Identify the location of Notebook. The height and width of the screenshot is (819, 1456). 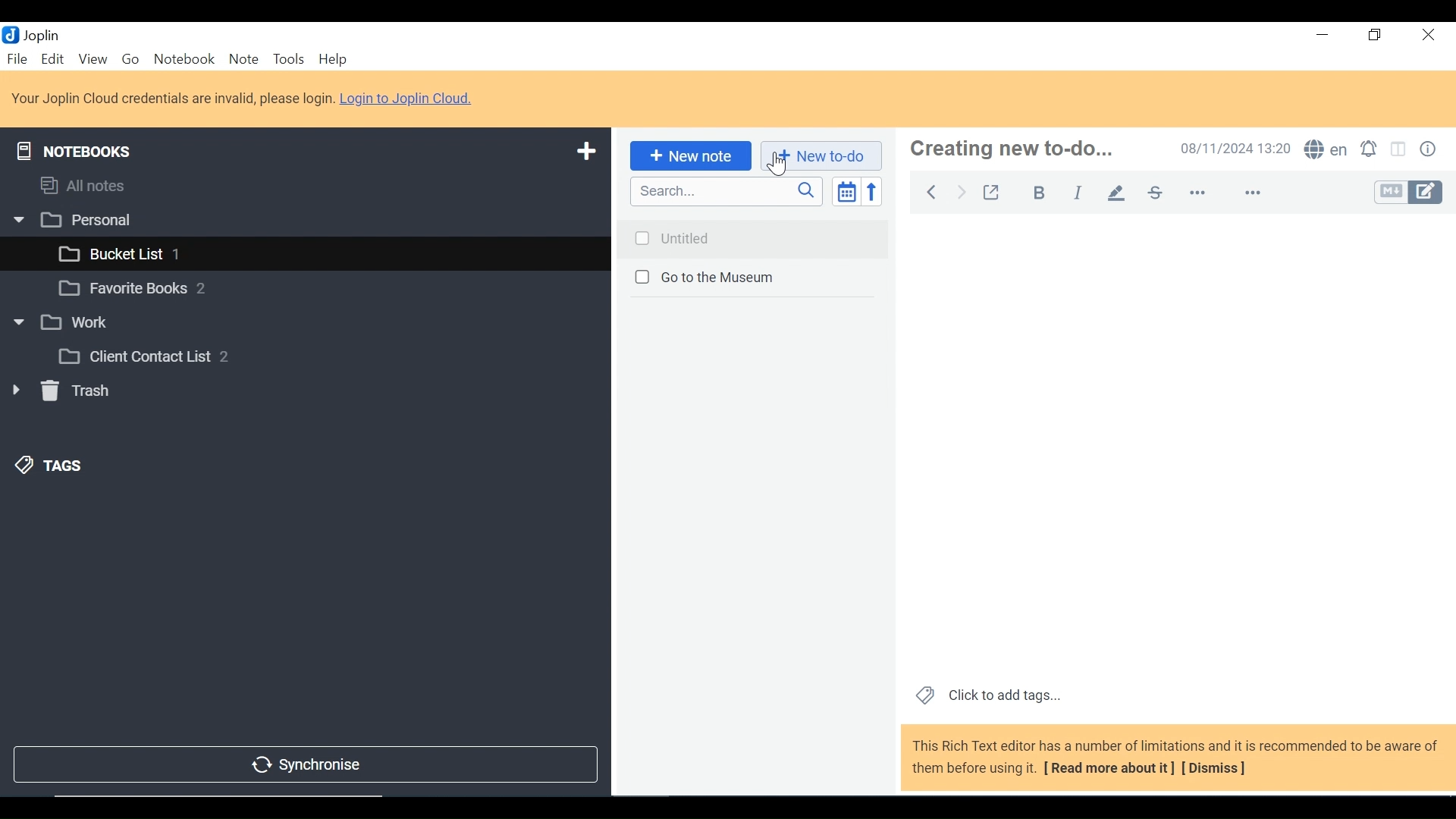
(184, 60).